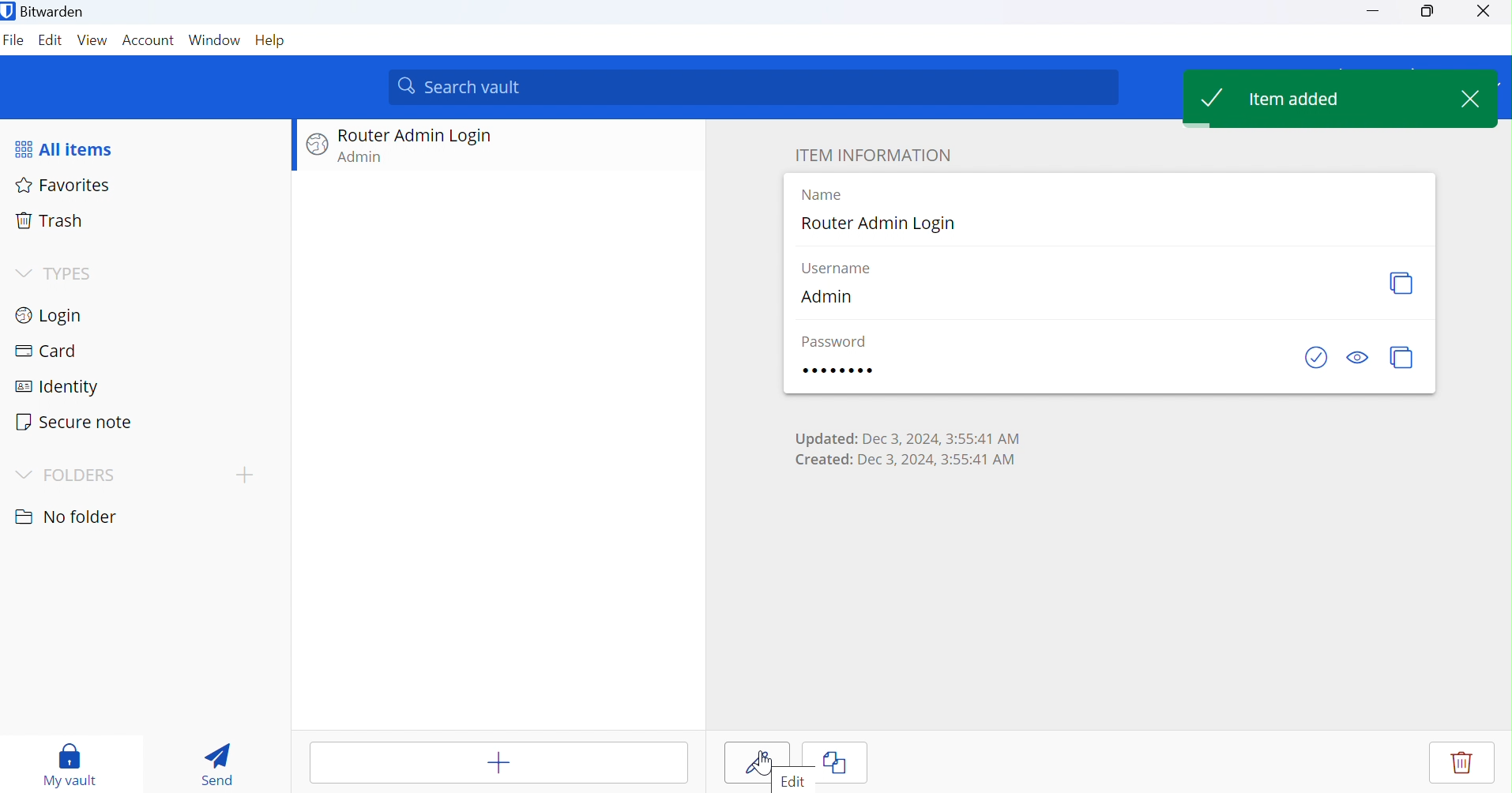 The width and height of the screenshot is (1512, 793). What do you see at coordinates (1427, 13) in the screenshot?
I see `maximum` at bounding box center [1427, 13].